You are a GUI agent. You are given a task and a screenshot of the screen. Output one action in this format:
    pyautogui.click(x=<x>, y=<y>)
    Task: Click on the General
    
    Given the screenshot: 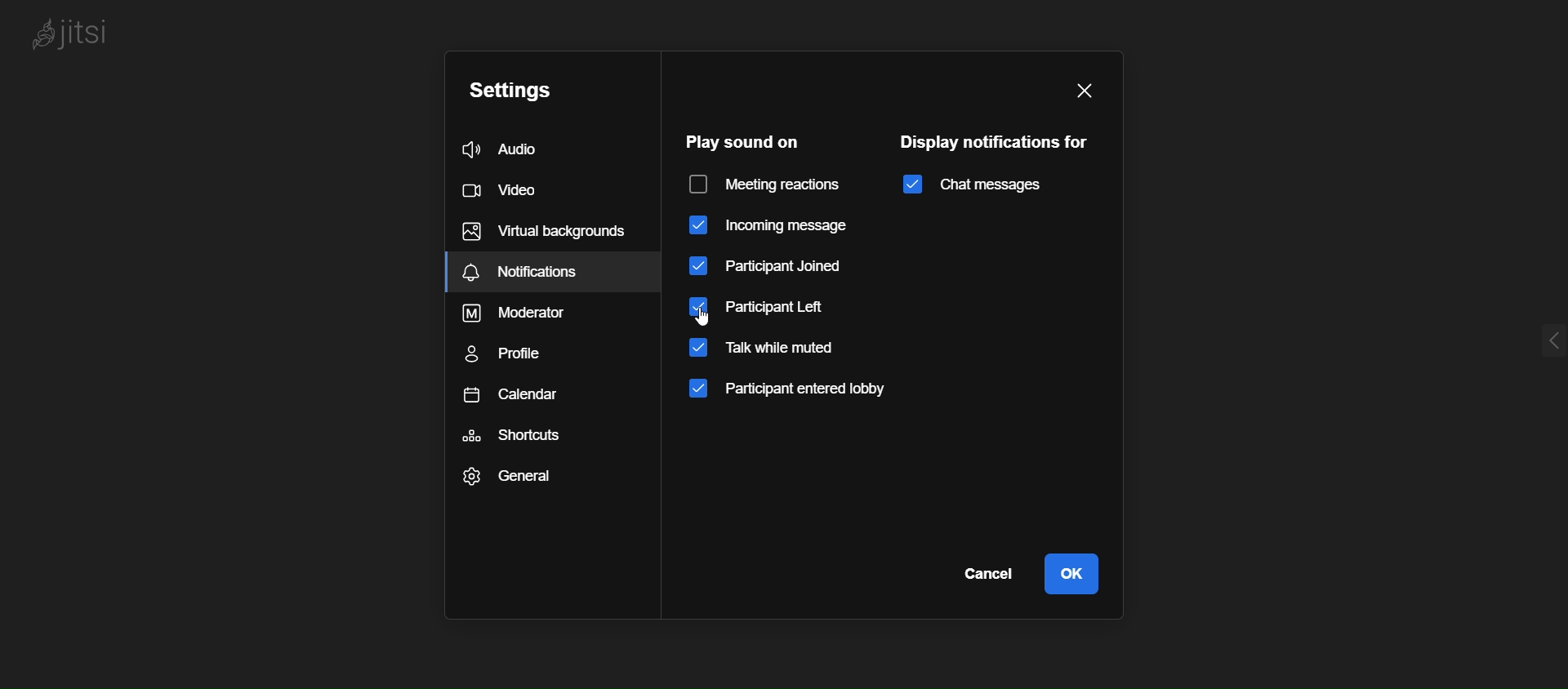 What is the action you would take?
    pyautogui.click(x=529, y=482)
    